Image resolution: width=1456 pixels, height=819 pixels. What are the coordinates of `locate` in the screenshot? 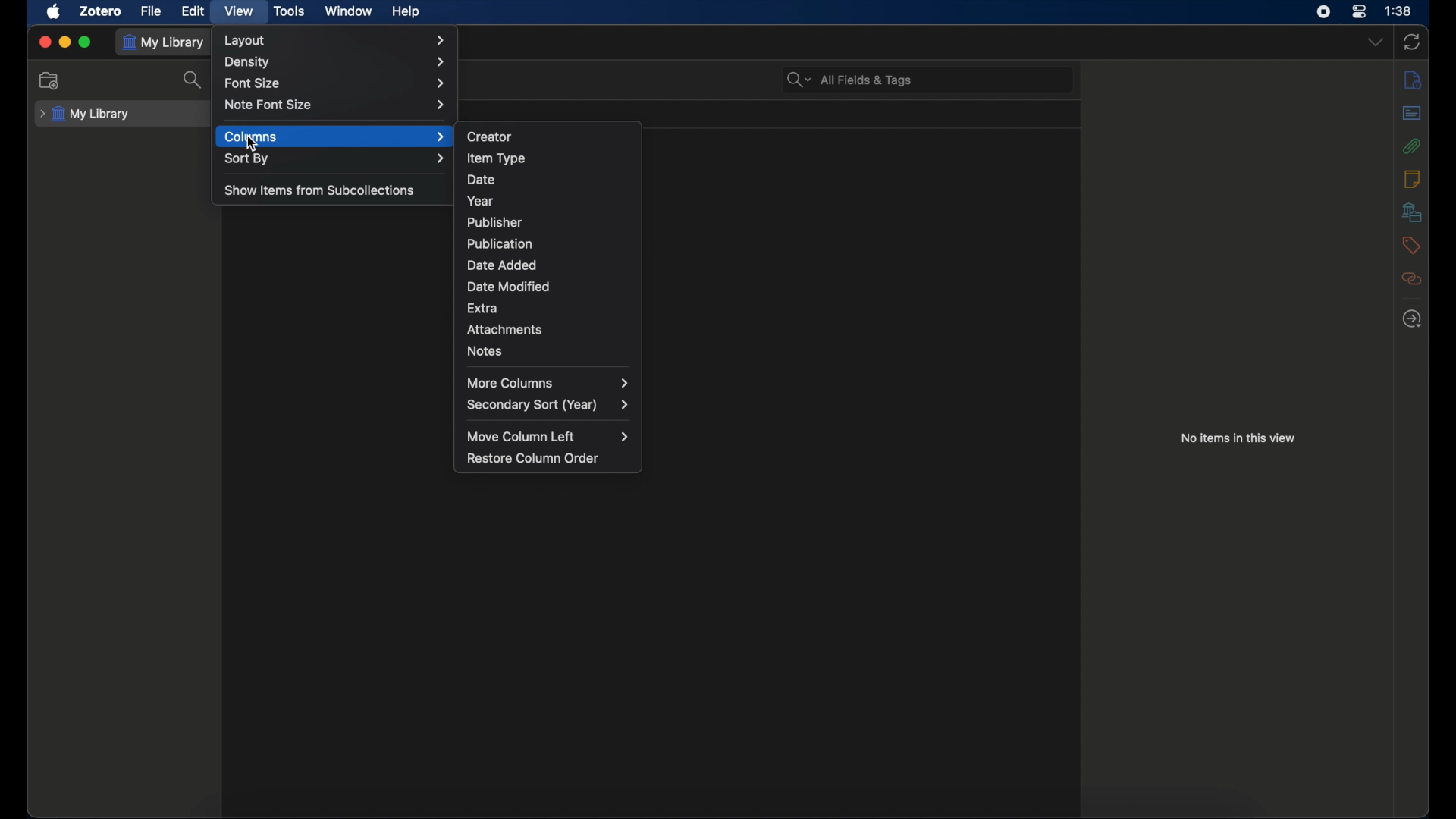 It's located at (1412, 319).